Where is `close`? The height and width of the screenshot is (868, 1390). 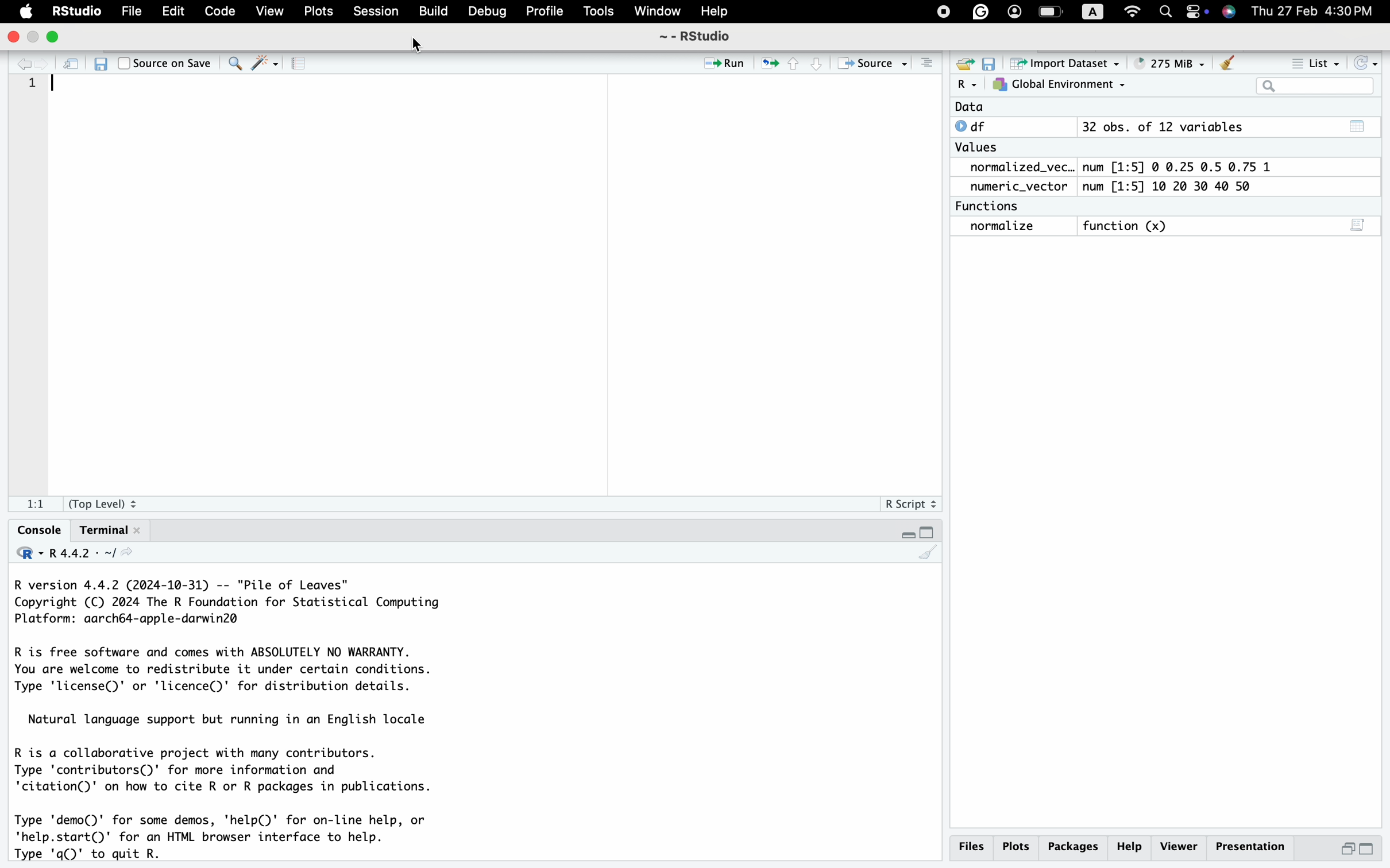
close is located at coordinates (10, 37).